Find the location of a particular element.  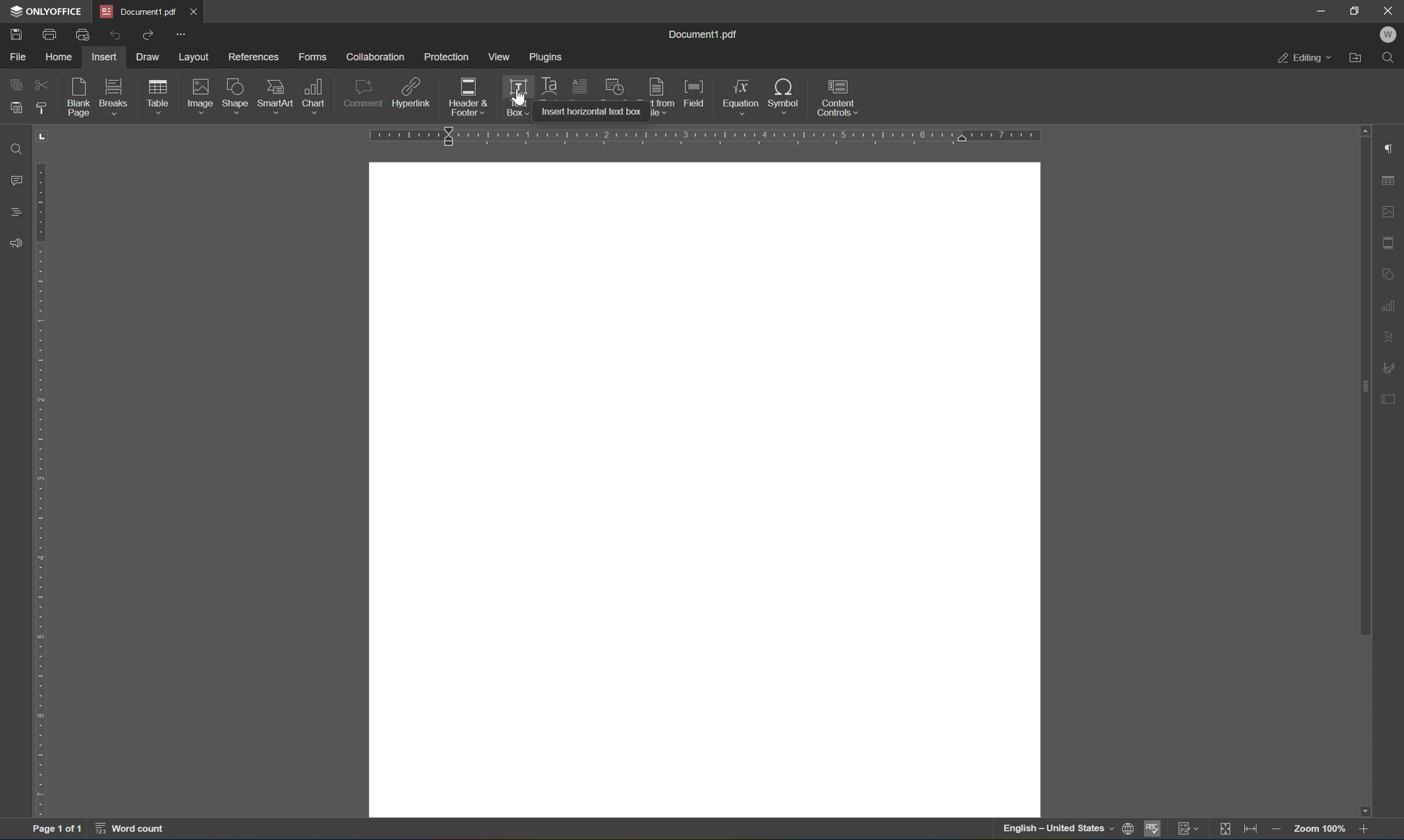

Page 1 of 1 is located at coordinates (57, 830).